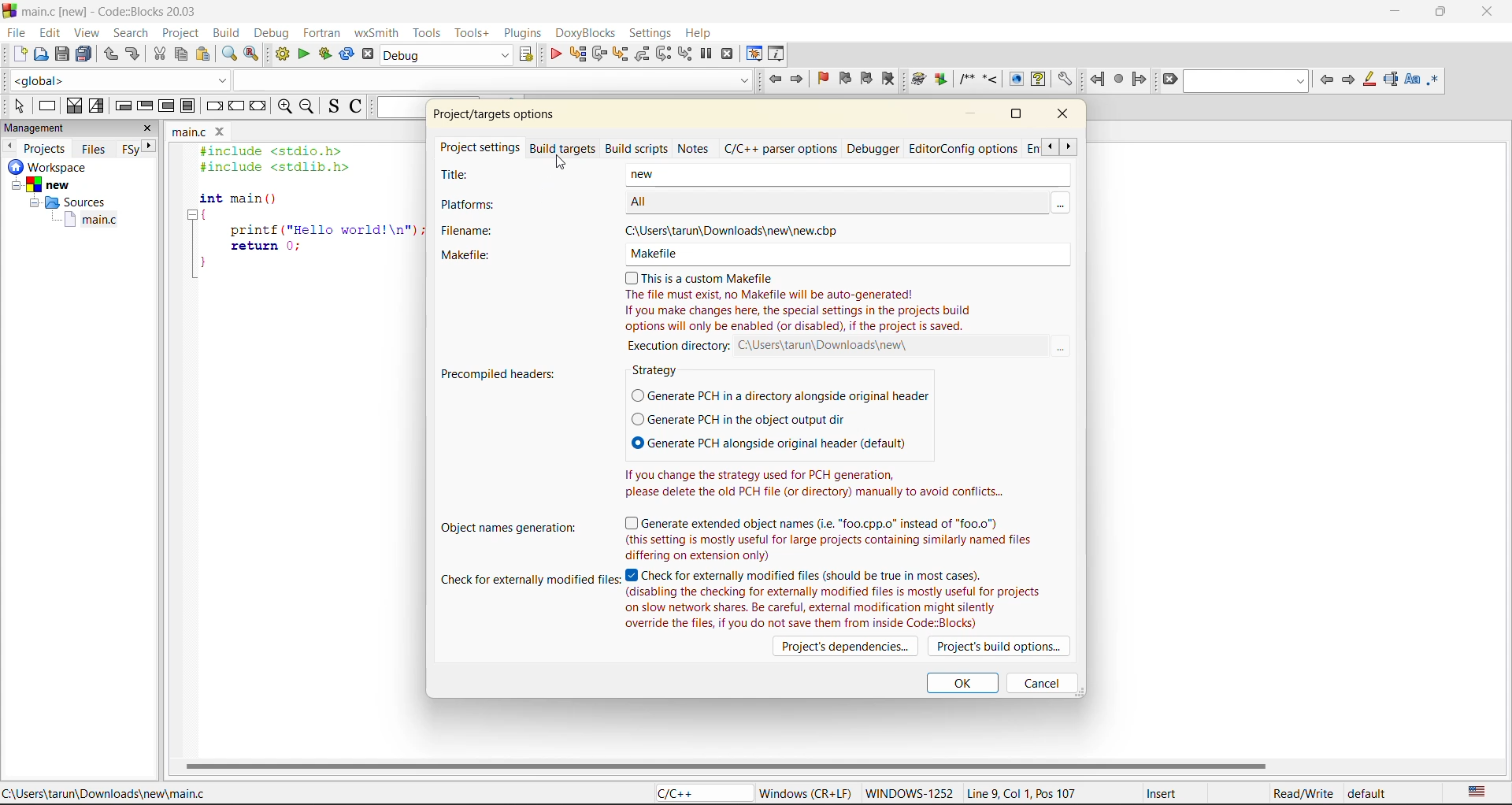 The image size is (1512, 805). I want to click on maximize, so click(1021, 117).